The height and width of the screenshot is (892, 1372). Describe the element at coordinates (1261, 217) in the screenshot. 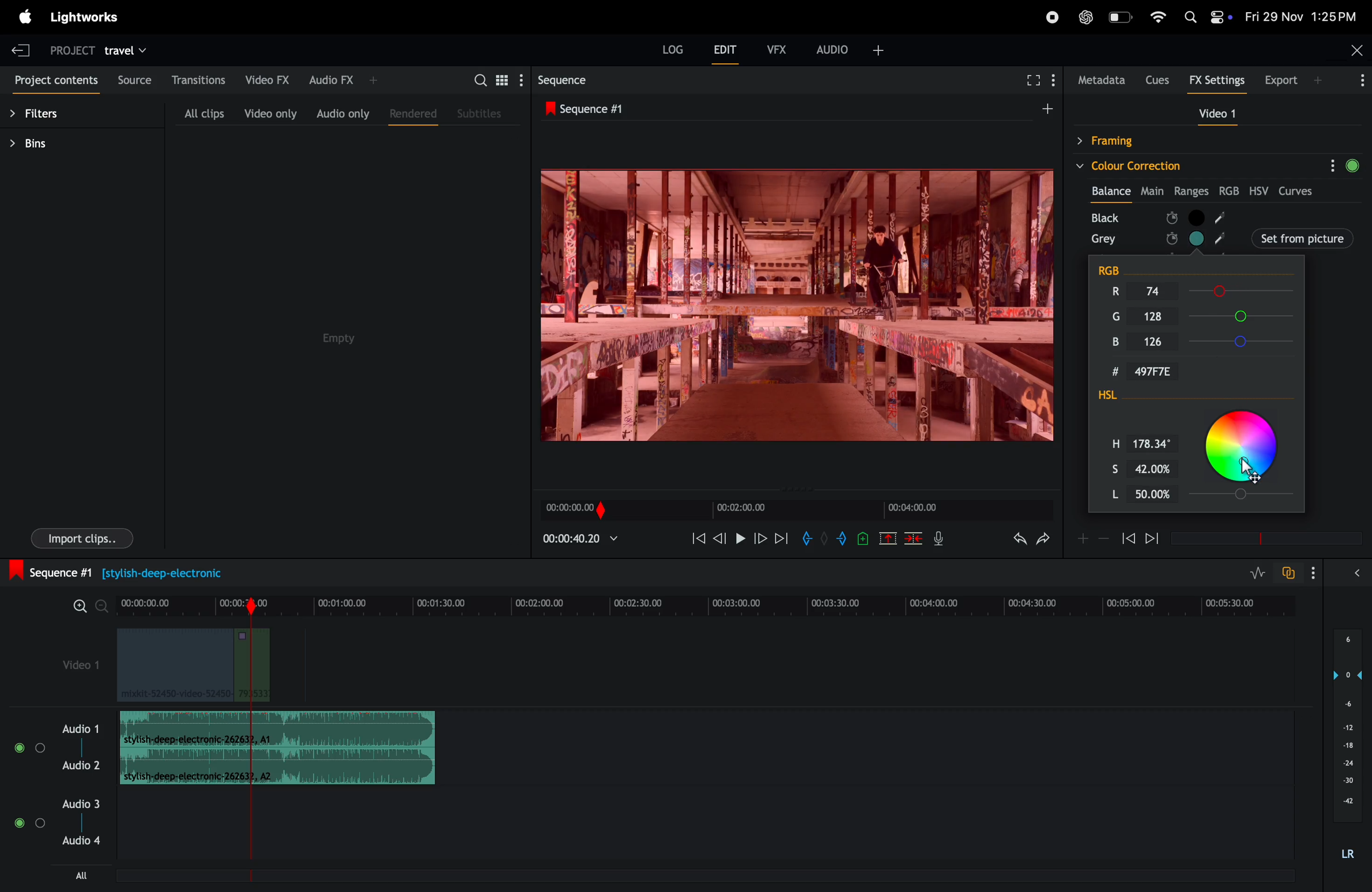

I see `black node` at that location.